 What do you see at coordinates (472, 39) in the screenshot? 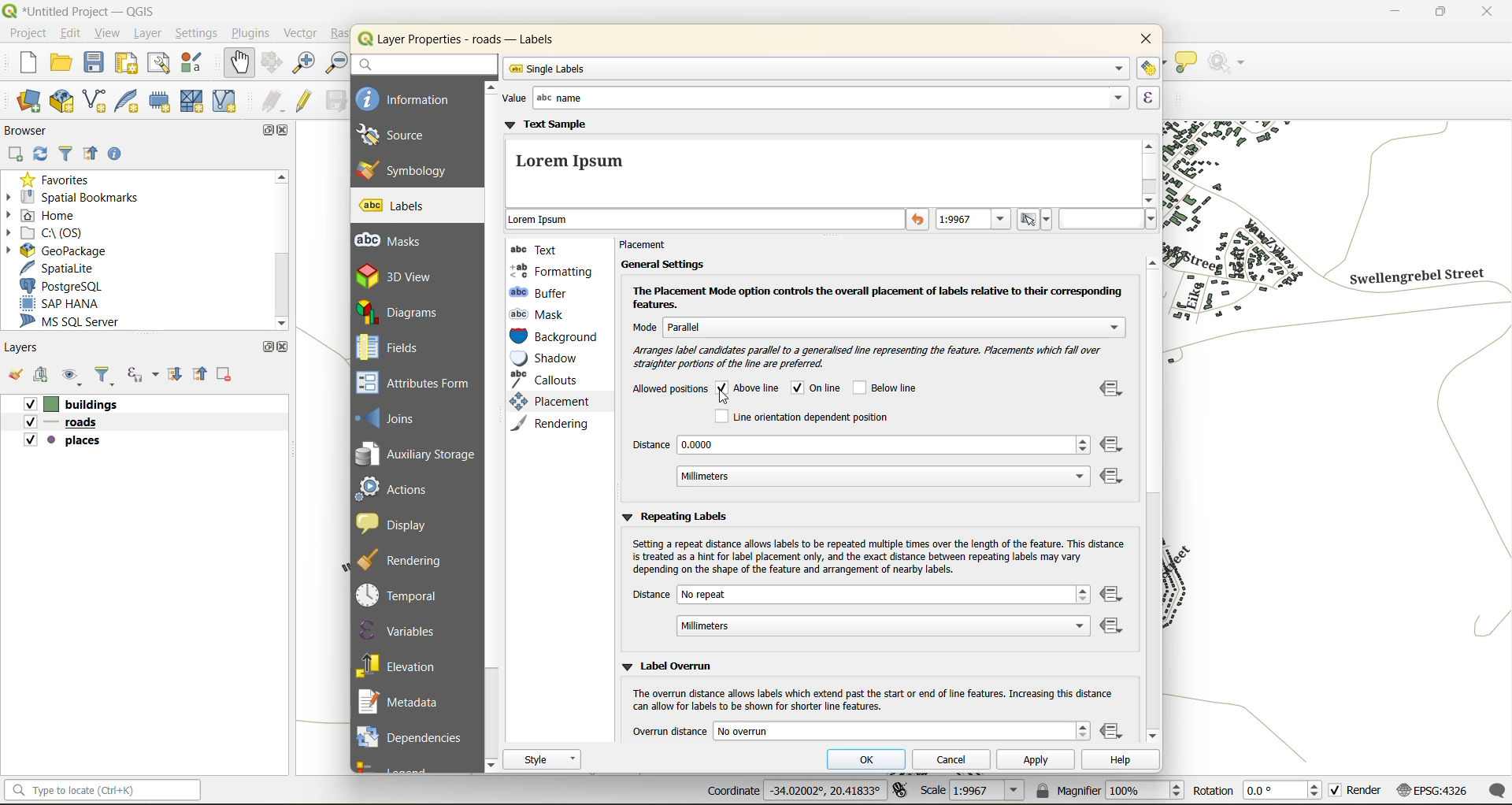
I see `layer properties` at bounding box center [472, 39].